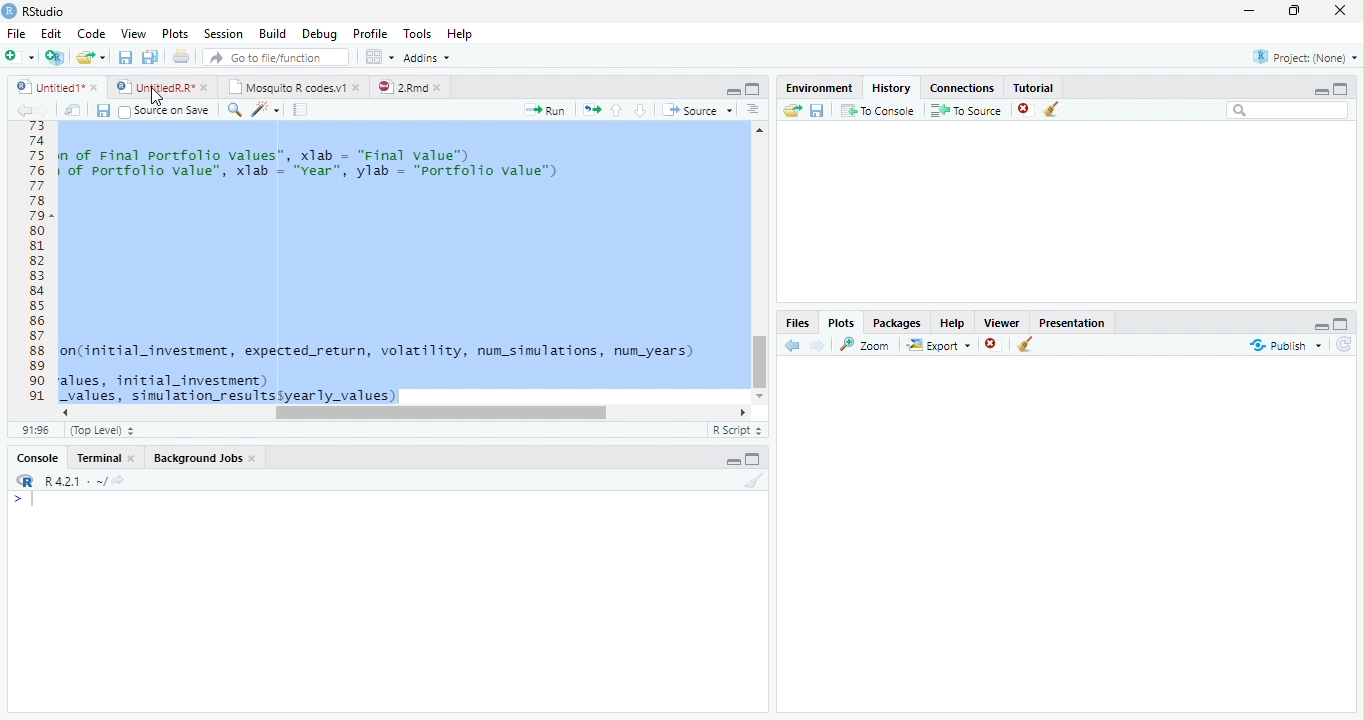  What do you see at coordinates (1342, 12) in the screenshot?
I see `Close` at bounding box center [1342, 12].